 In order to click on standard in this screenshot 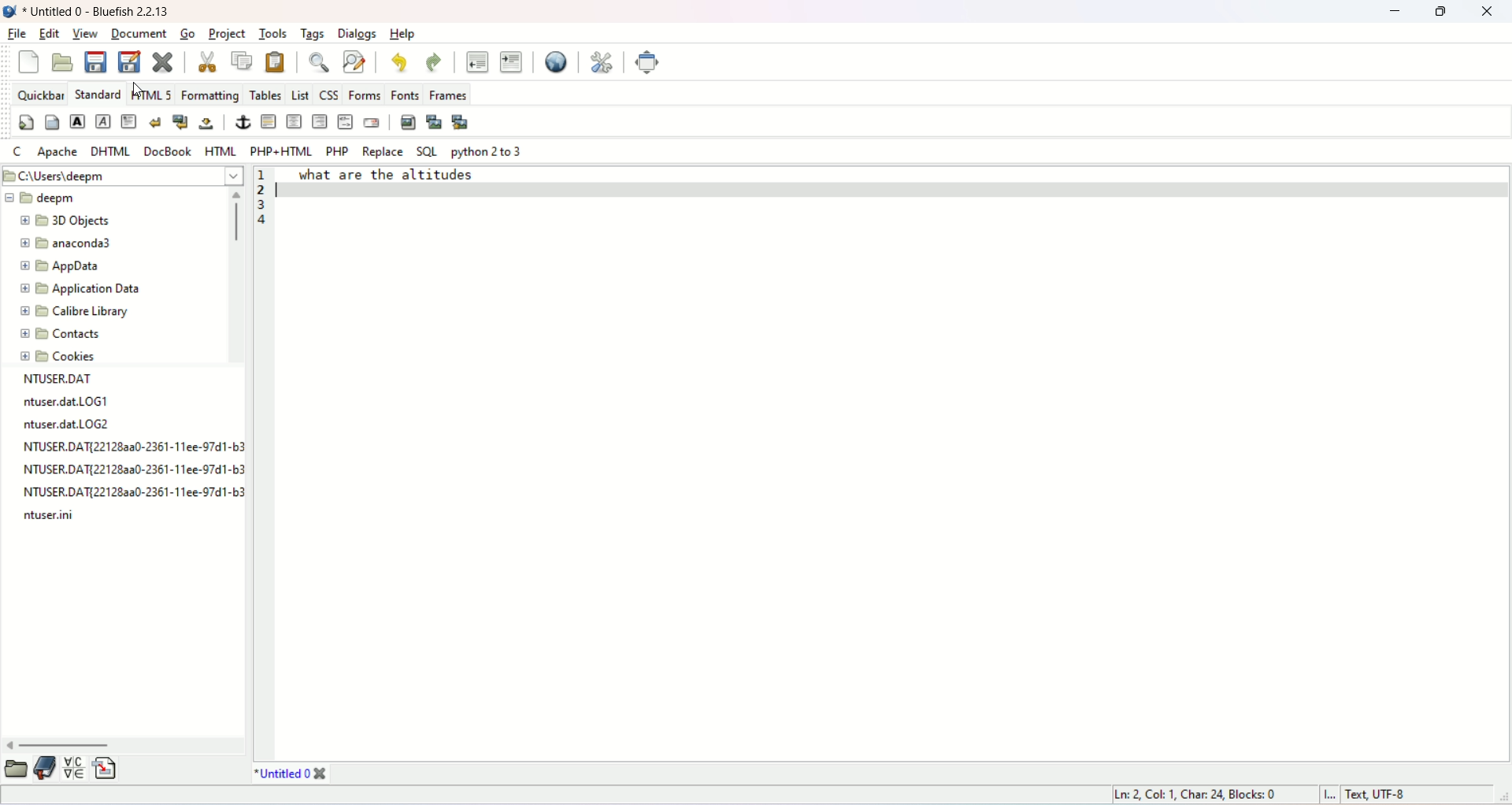, I will do `click(94, 93)`.